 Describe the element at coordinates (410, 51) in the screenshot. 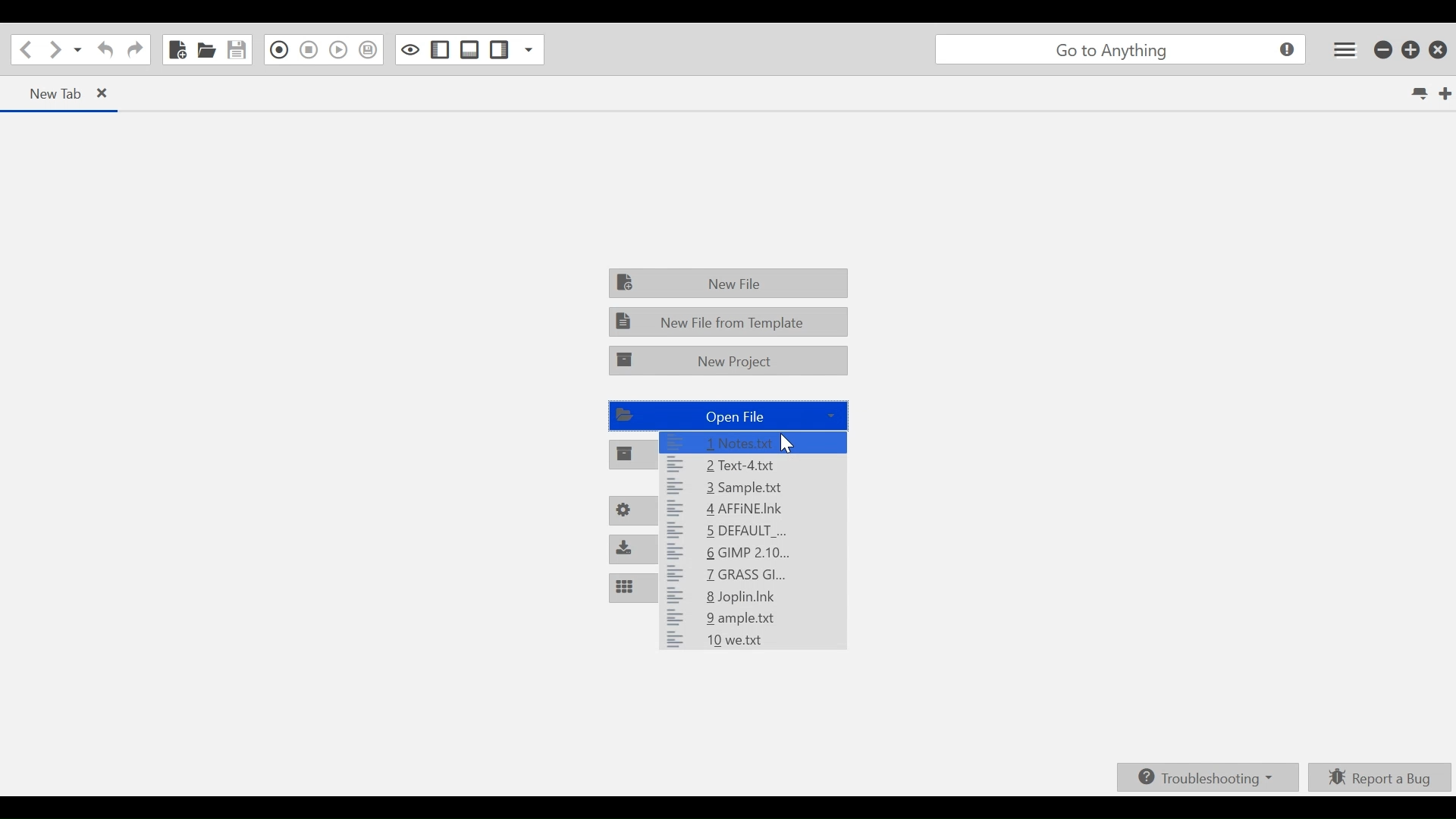

I see `Toggle focus mode` at that location.